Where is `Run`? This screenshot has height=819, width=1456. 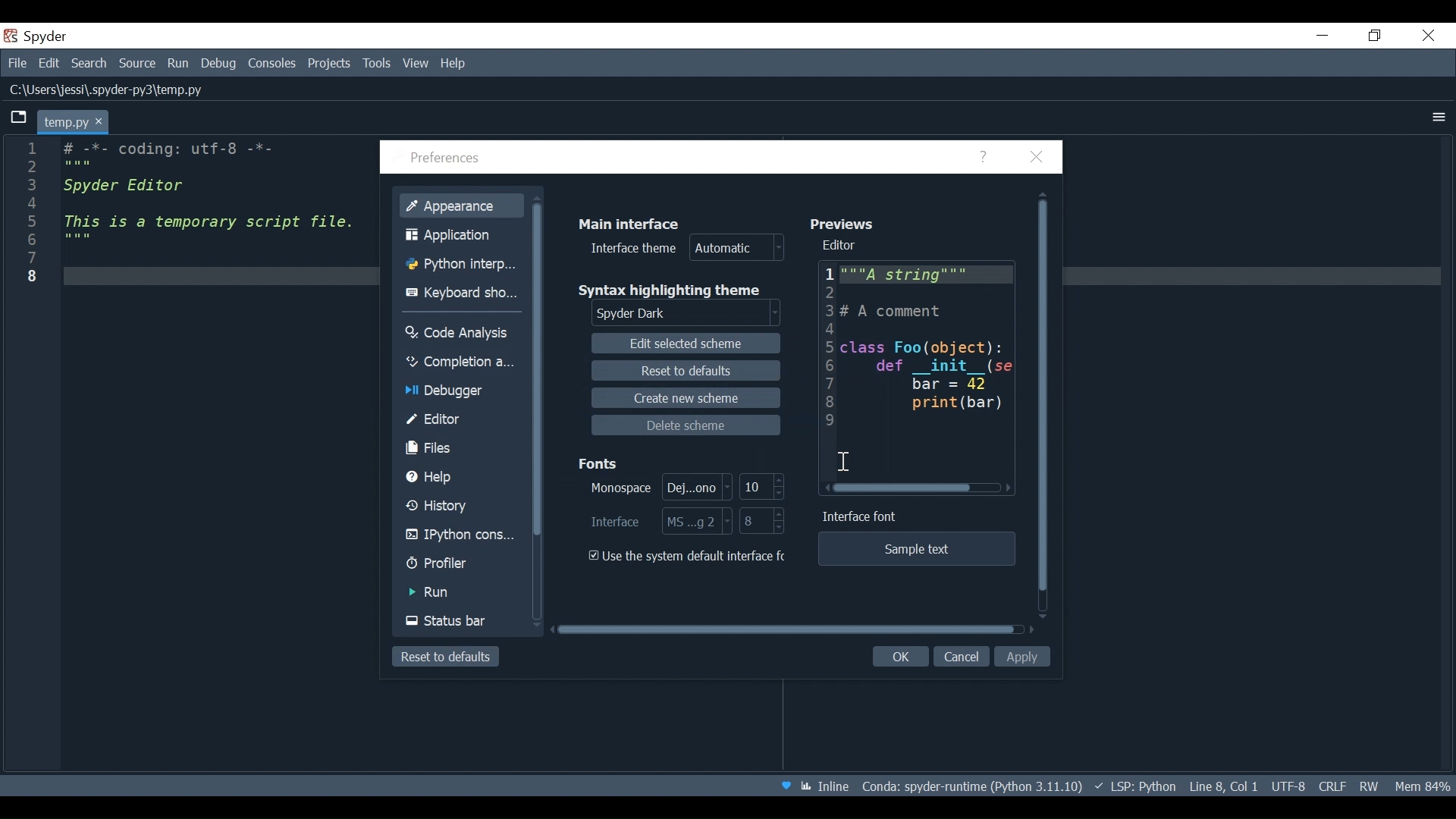 Run is located at coordinates (462, 592).